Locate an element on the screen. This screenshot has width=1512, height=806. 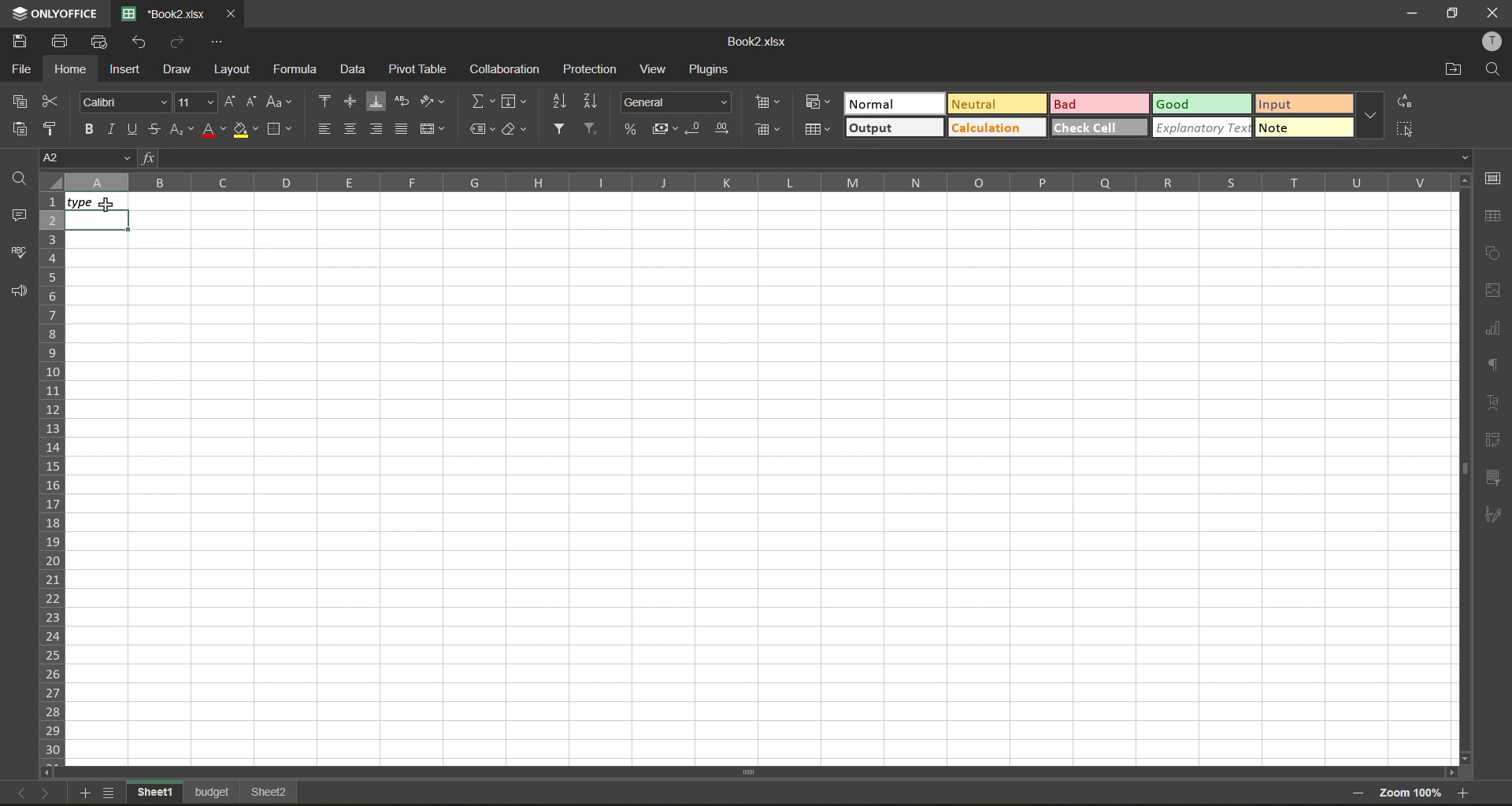
feedback is located at coordinates (23, 291).